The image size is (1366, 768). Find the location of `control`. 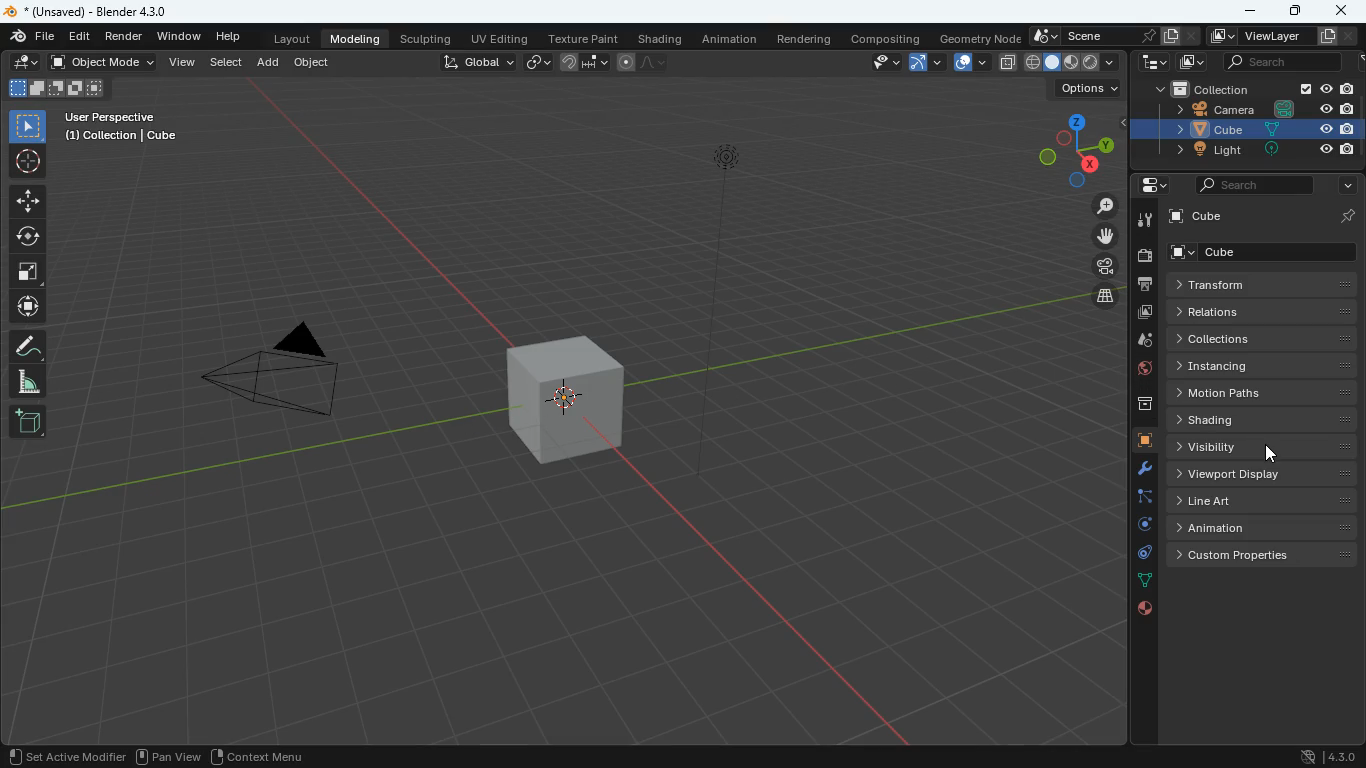

control is located at coordinates (1139, 554).